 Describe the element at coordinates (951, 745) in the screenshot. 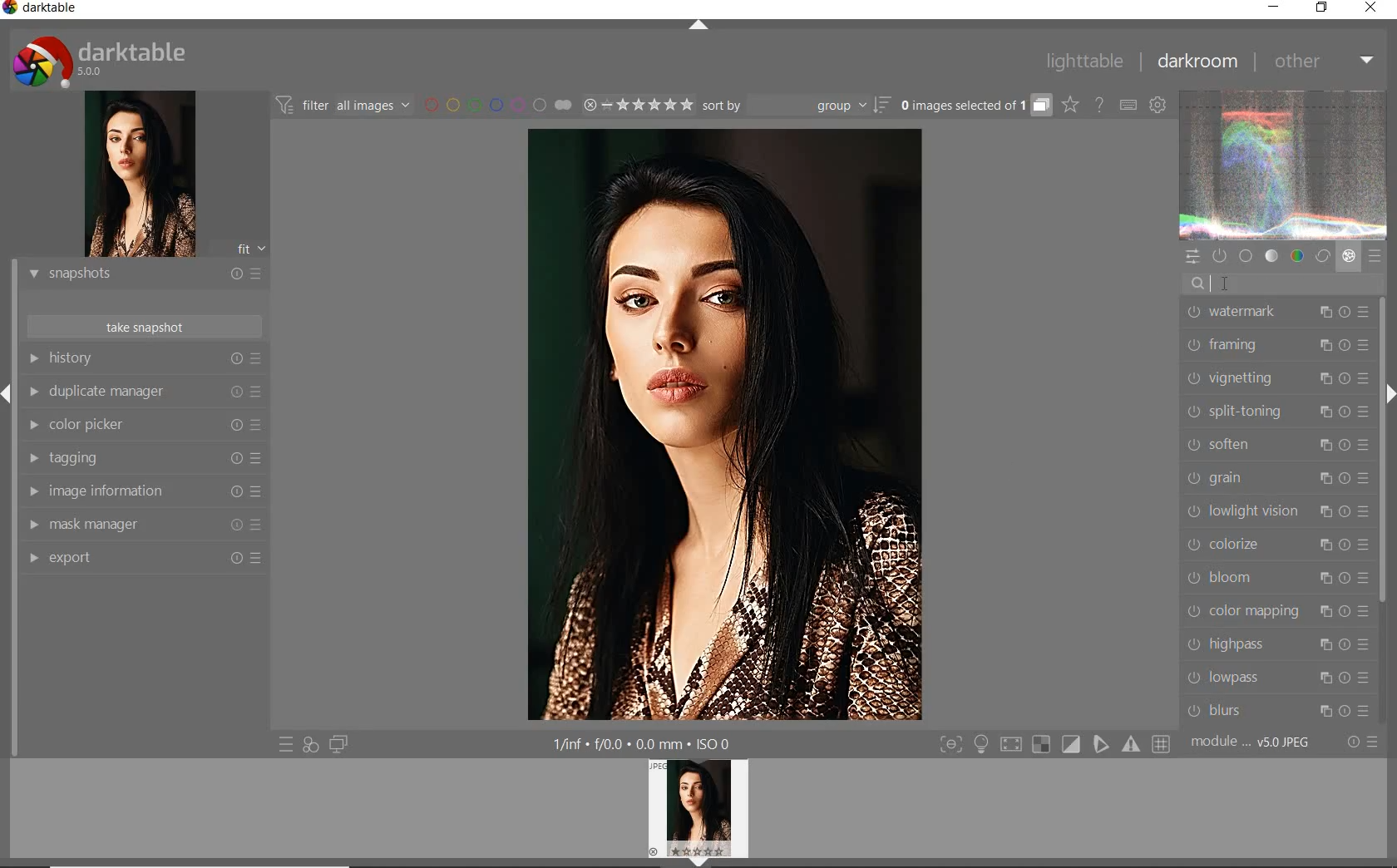

I see `toggle modes` at that location.